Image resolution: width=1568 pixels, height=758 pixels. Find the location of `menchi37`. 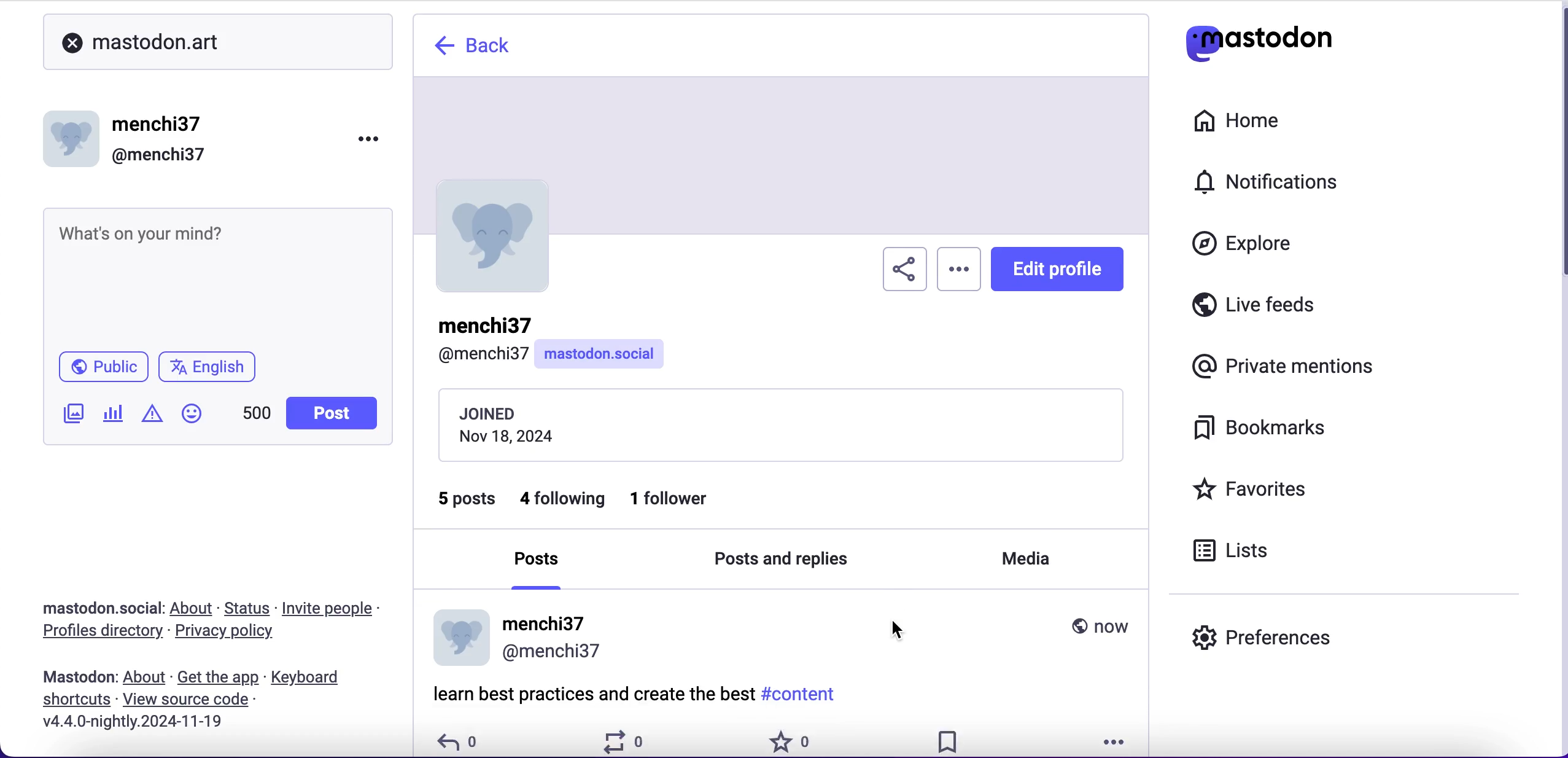

menchi37 is located at coordinates (159, 125).